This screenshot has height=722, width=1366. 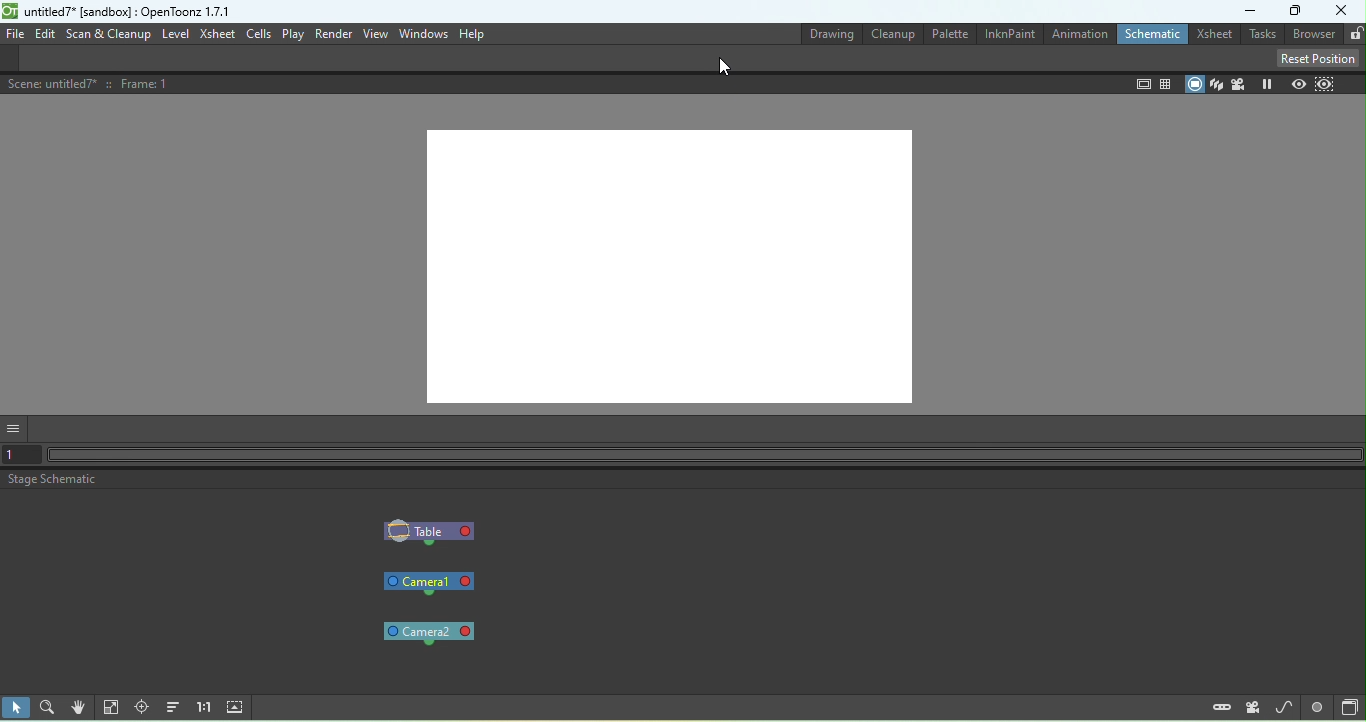 What do you see at coordinates (376, 35) in the screenshot?
I see `View` at bounding box center [376, 35].